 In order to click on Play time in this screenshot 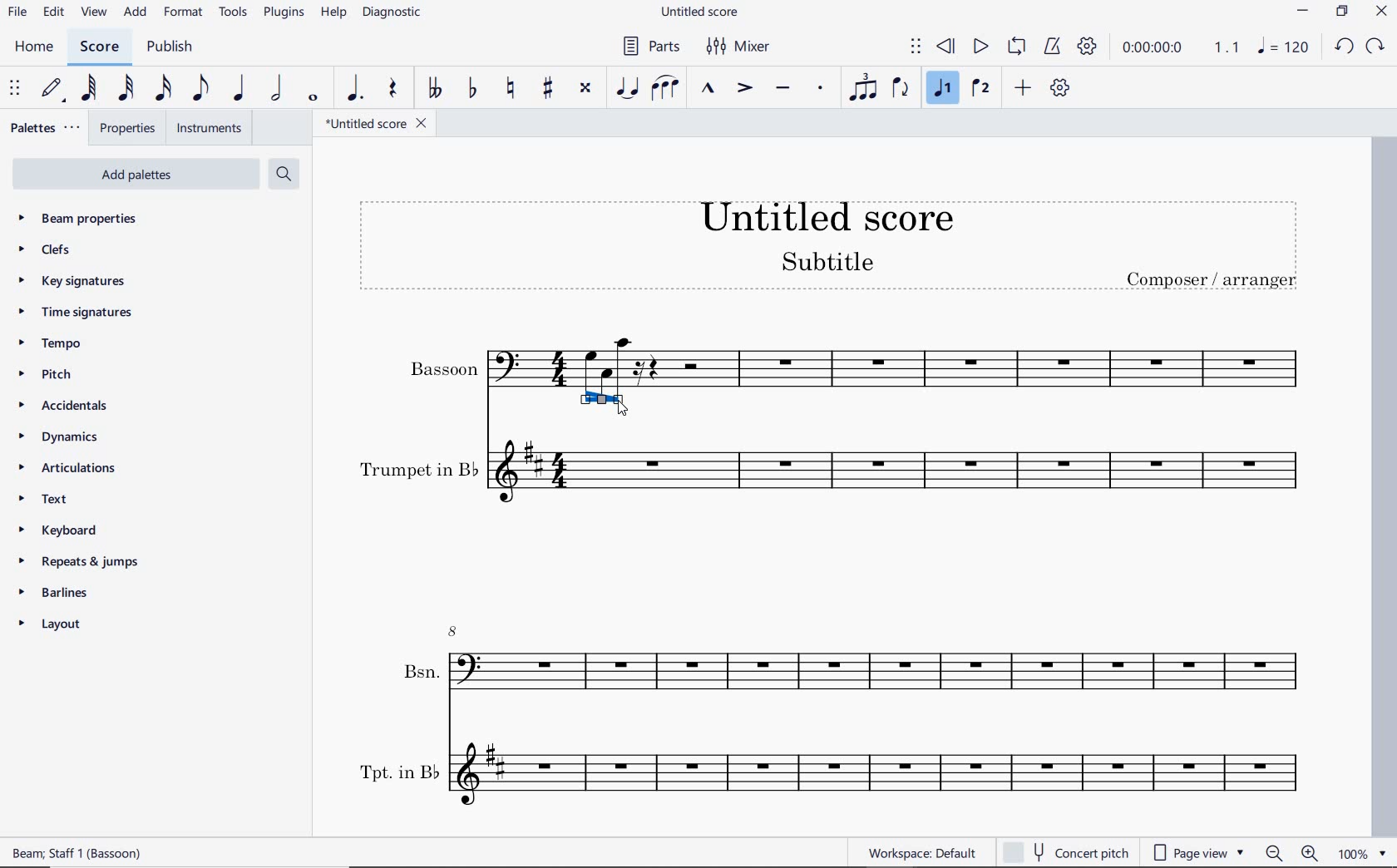, I will do `click(1180, 46)`.